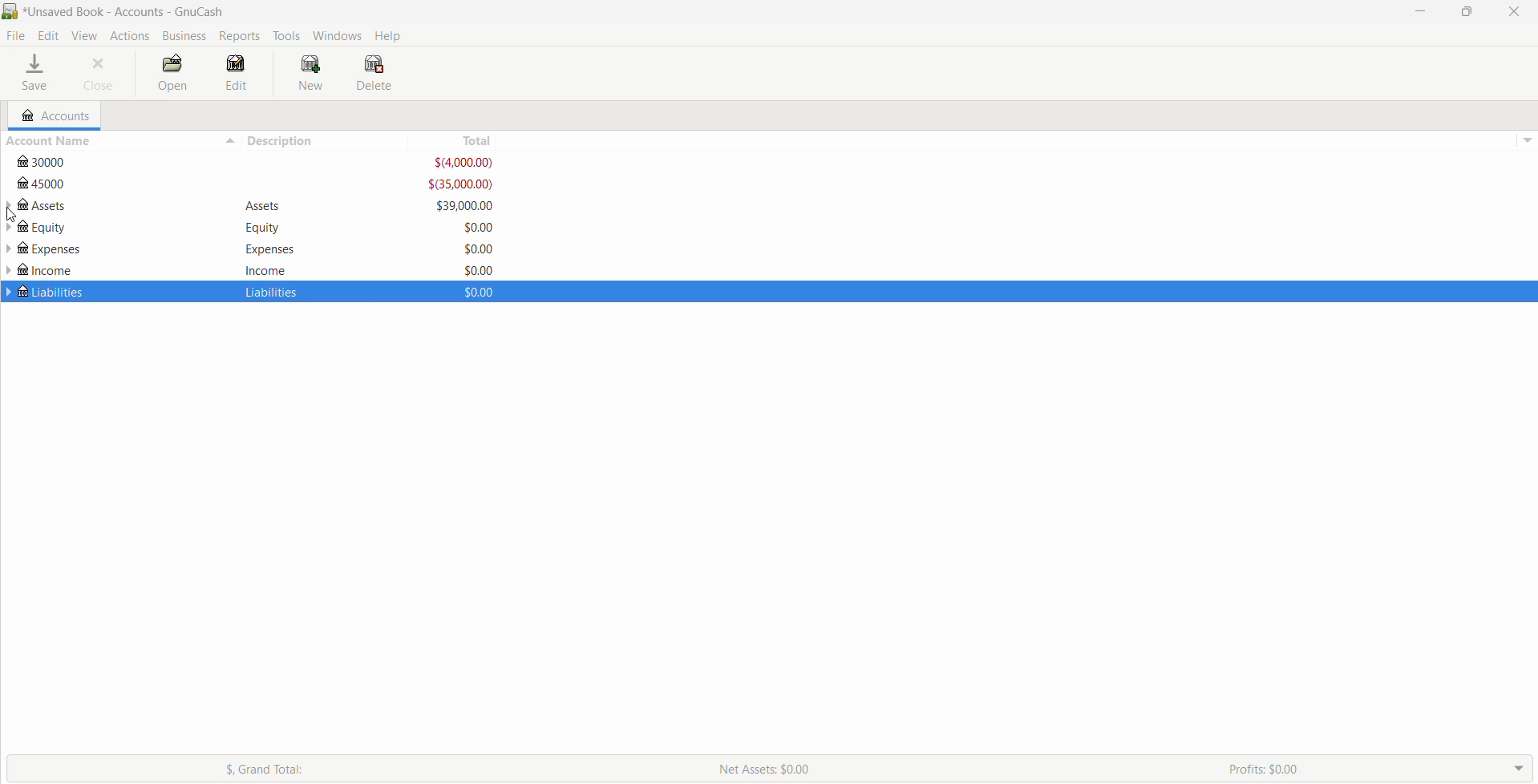  I want to click on Actions, so click(130, 36).